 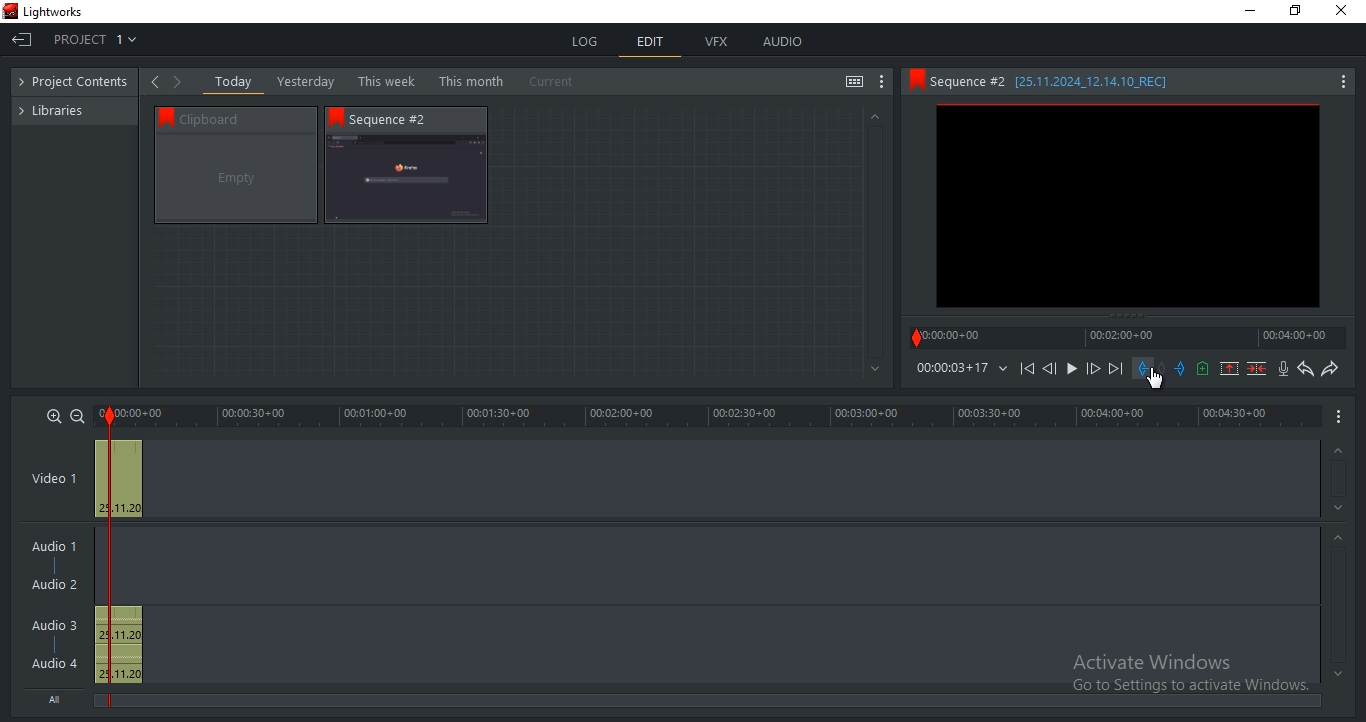 What do you see at coordinates (1203, 369) in the screenshot?
I see `add cue` at bounding box center [1203, 369].